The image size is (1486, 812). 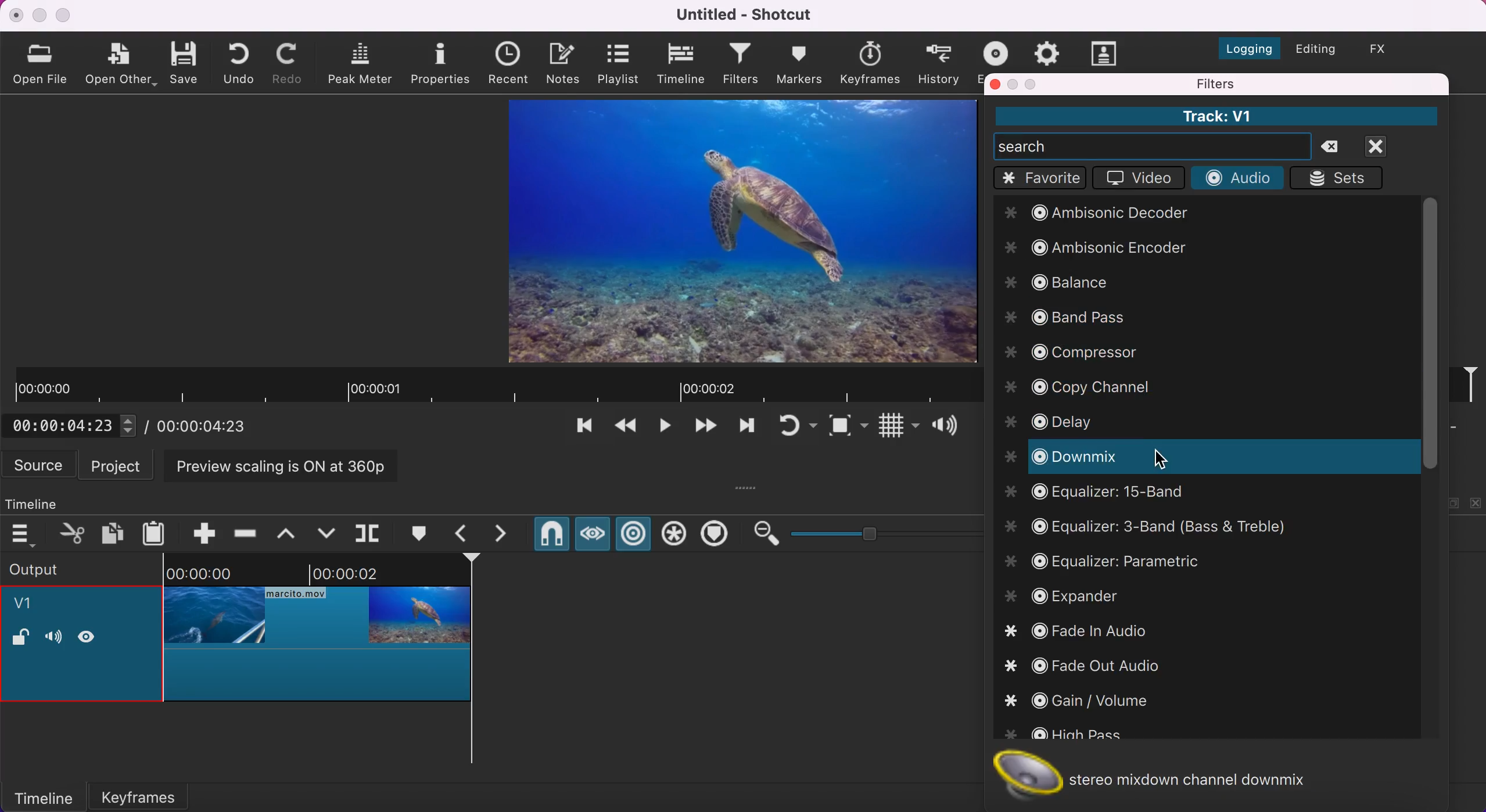 What do you see at coordinates (747, 15) in the screenshot?
I see `Untitled - Shotcut` at bounding box center [747, 15].